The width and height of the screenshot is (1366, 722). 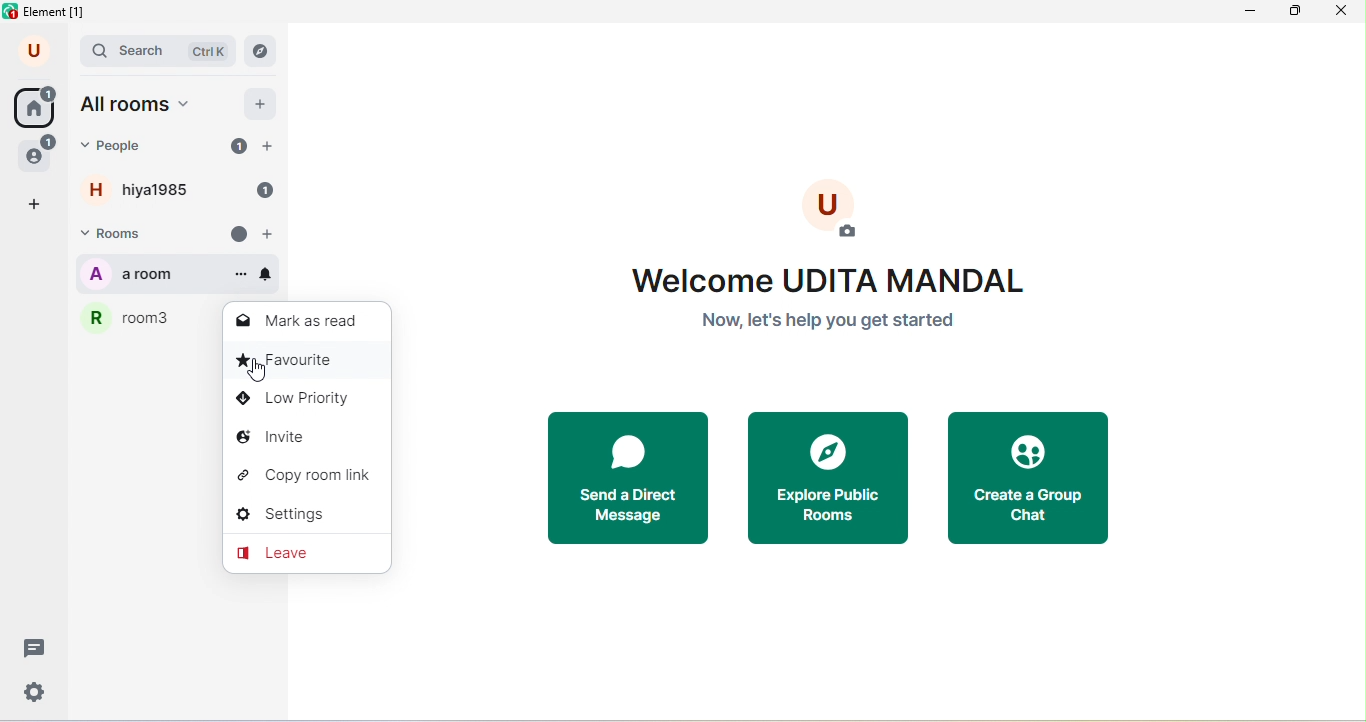 What do you see at coordinates (125, 235) in the screenshot?
I see `rooms` at bounding box center [125, 235].